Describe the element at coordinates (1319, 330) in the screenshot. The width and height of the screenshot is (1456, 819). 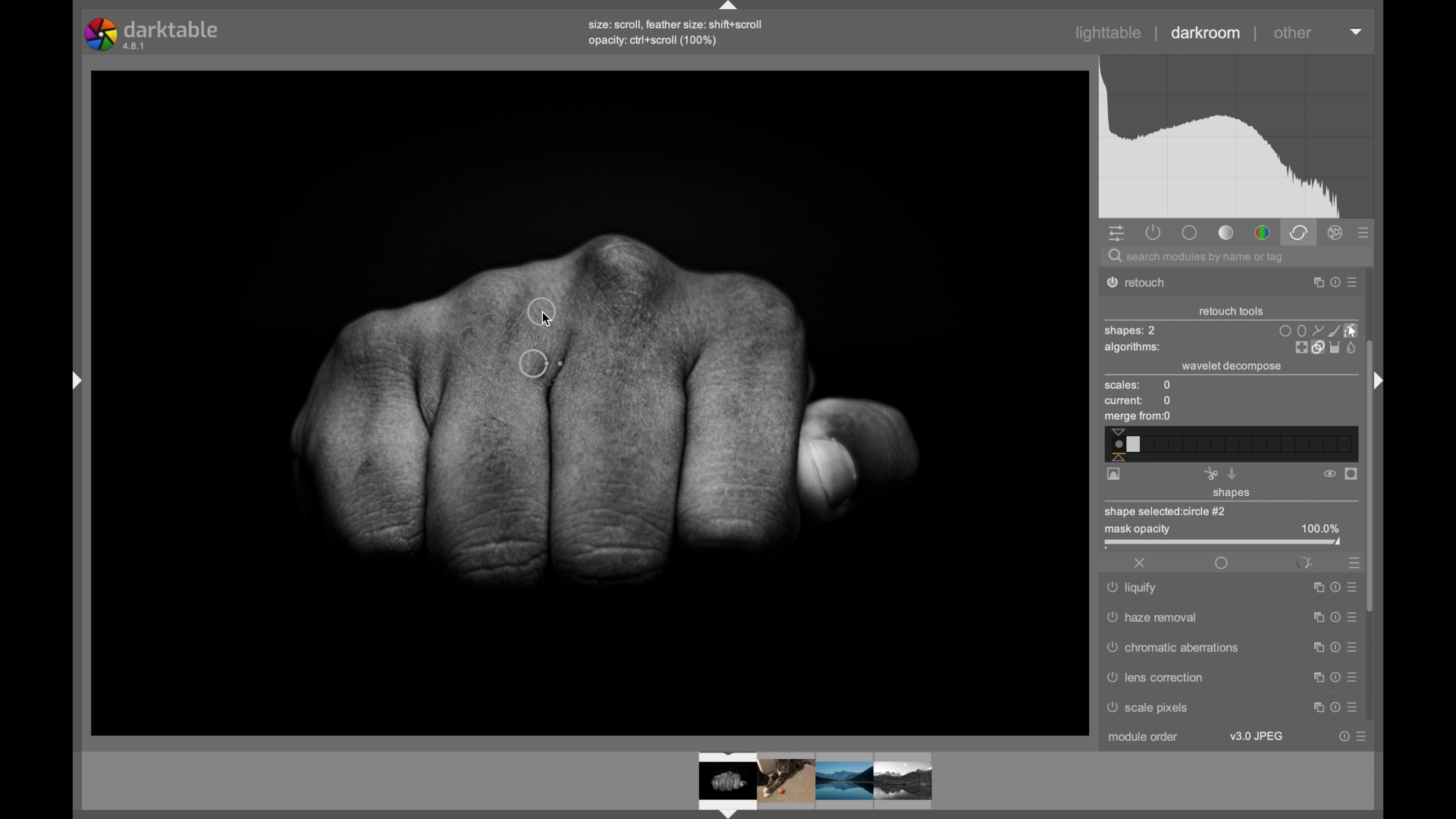
I see `draw mask options` at that location.